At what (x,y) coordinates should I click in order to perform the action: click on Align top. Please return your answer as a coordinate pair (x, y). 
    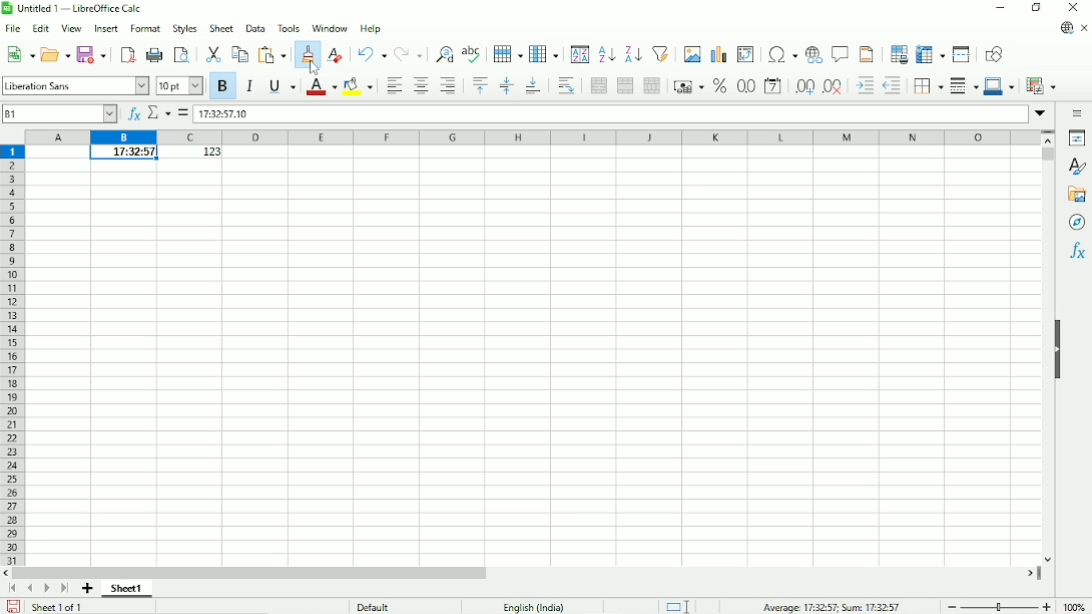
    Looking at the image, I should click on (480, 86).